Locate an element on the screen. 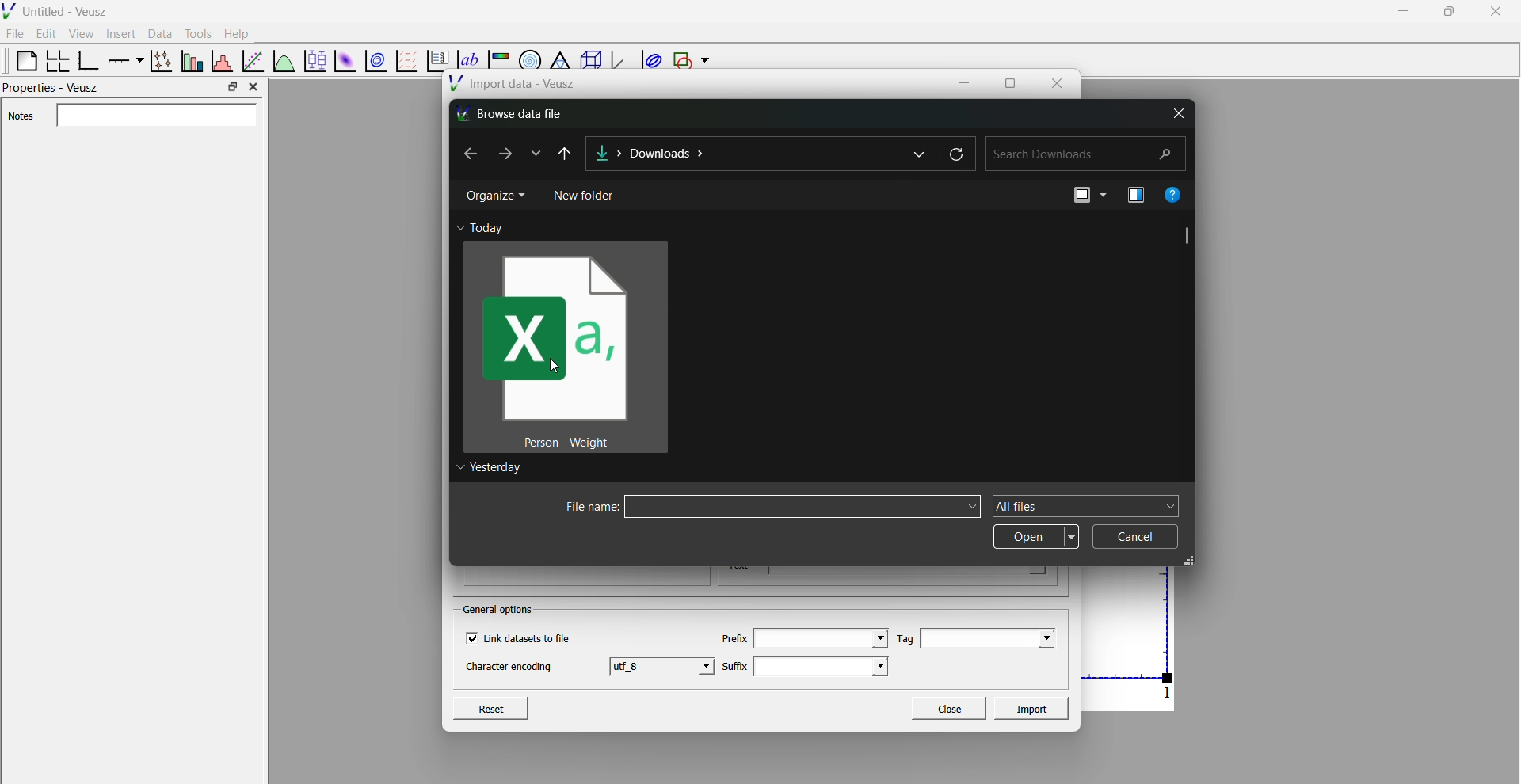 The width and height of the screenshot is (1521, 784). close property bar is located at coordinates (255, 86).